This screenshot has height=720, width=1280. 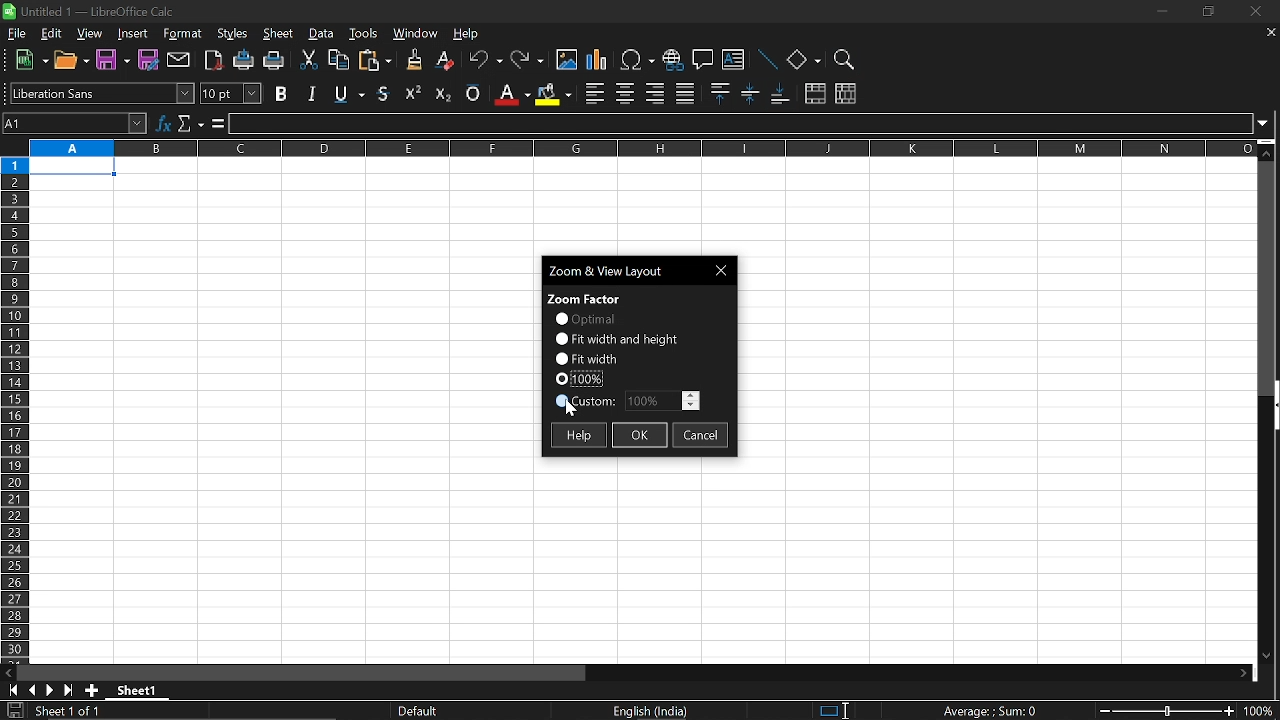 What do you see at coordinates (364, 33) in the screenshot?
I see `tools` at bounding box center [364, 33].